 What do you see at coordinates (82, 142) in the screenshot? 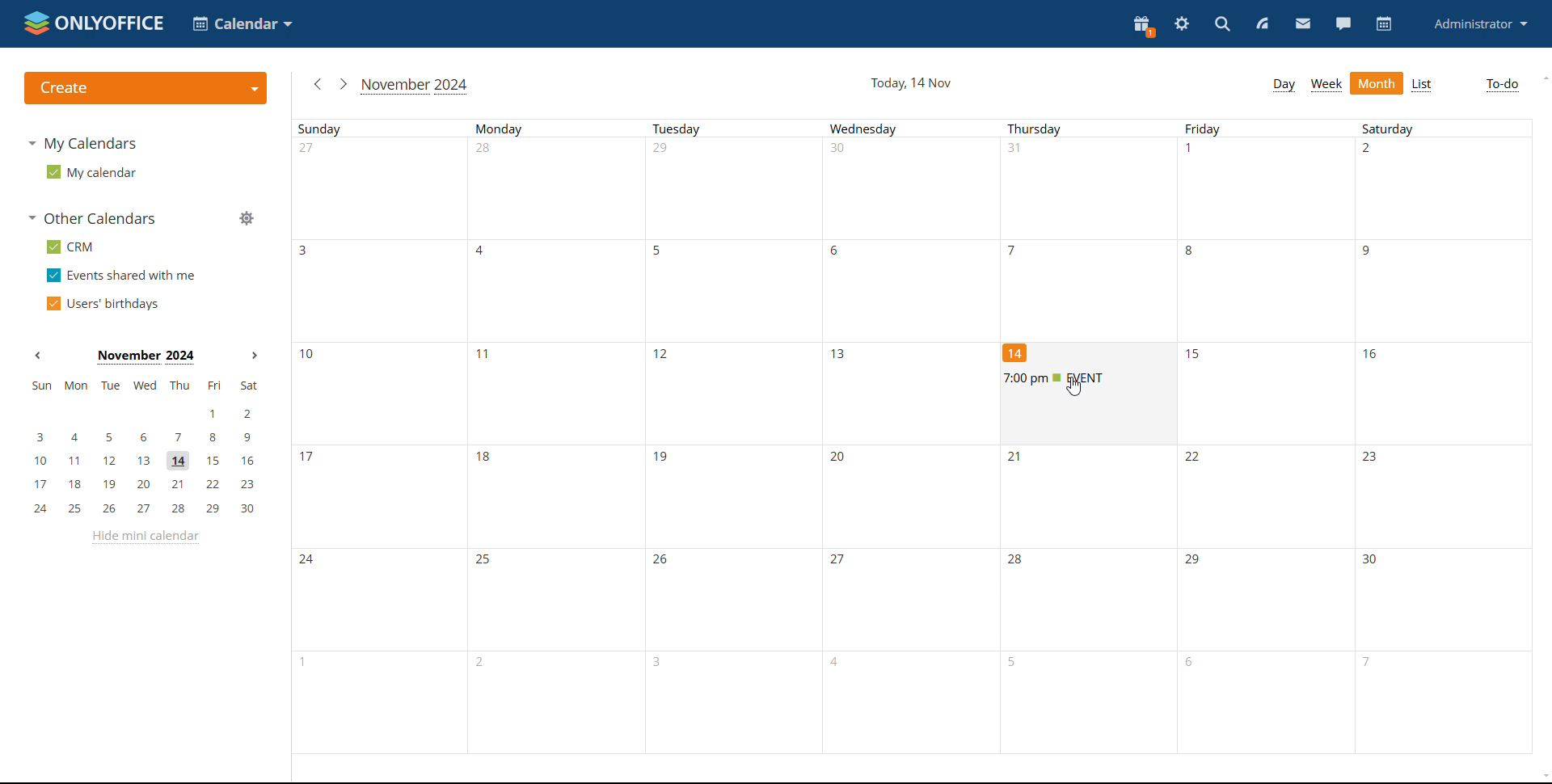
I see `my calendars` at bounding box center [82, 142].